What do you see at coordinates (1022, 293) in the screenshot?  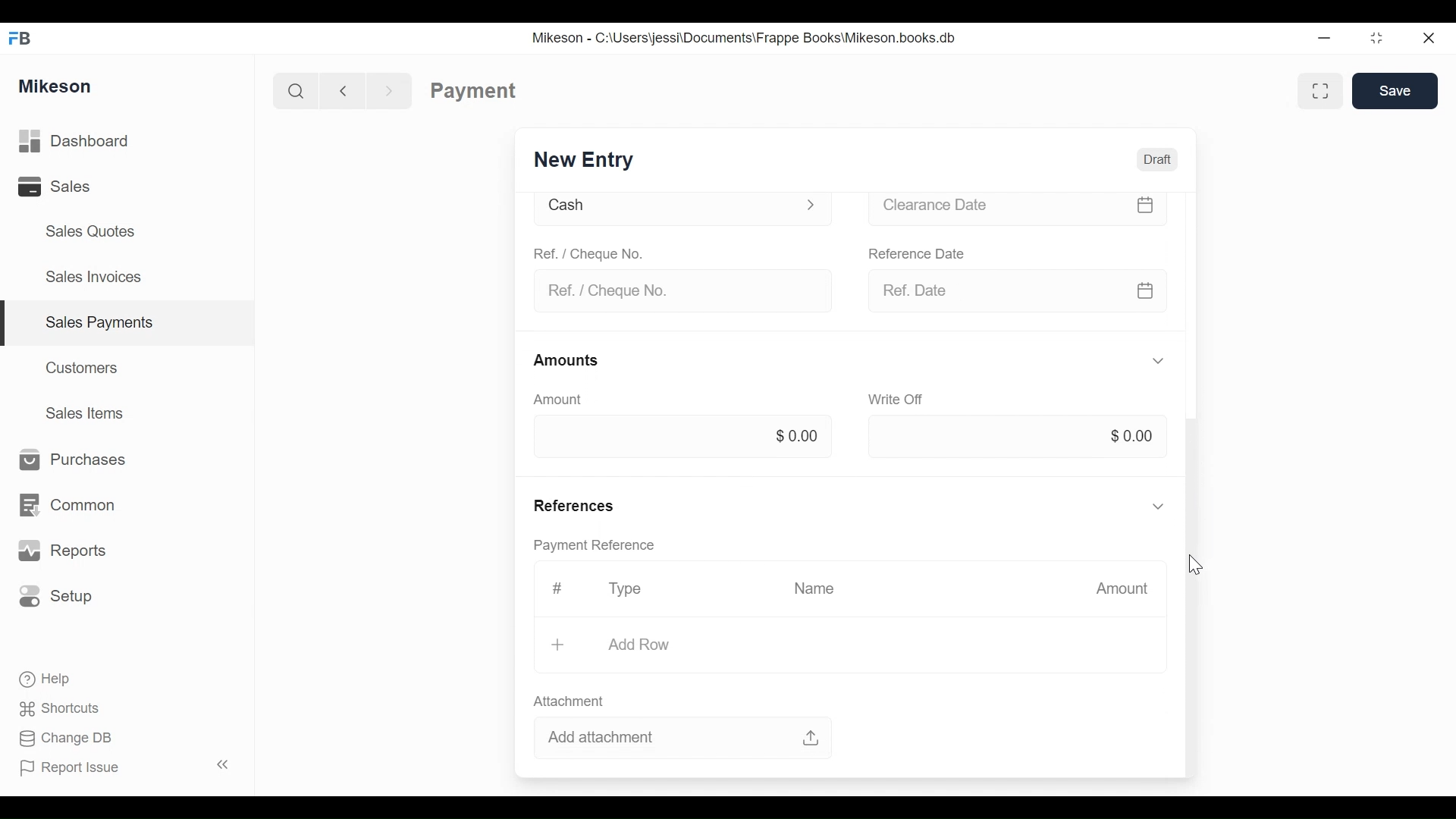 I see `Ref date` at bounding box center [1022, 293].